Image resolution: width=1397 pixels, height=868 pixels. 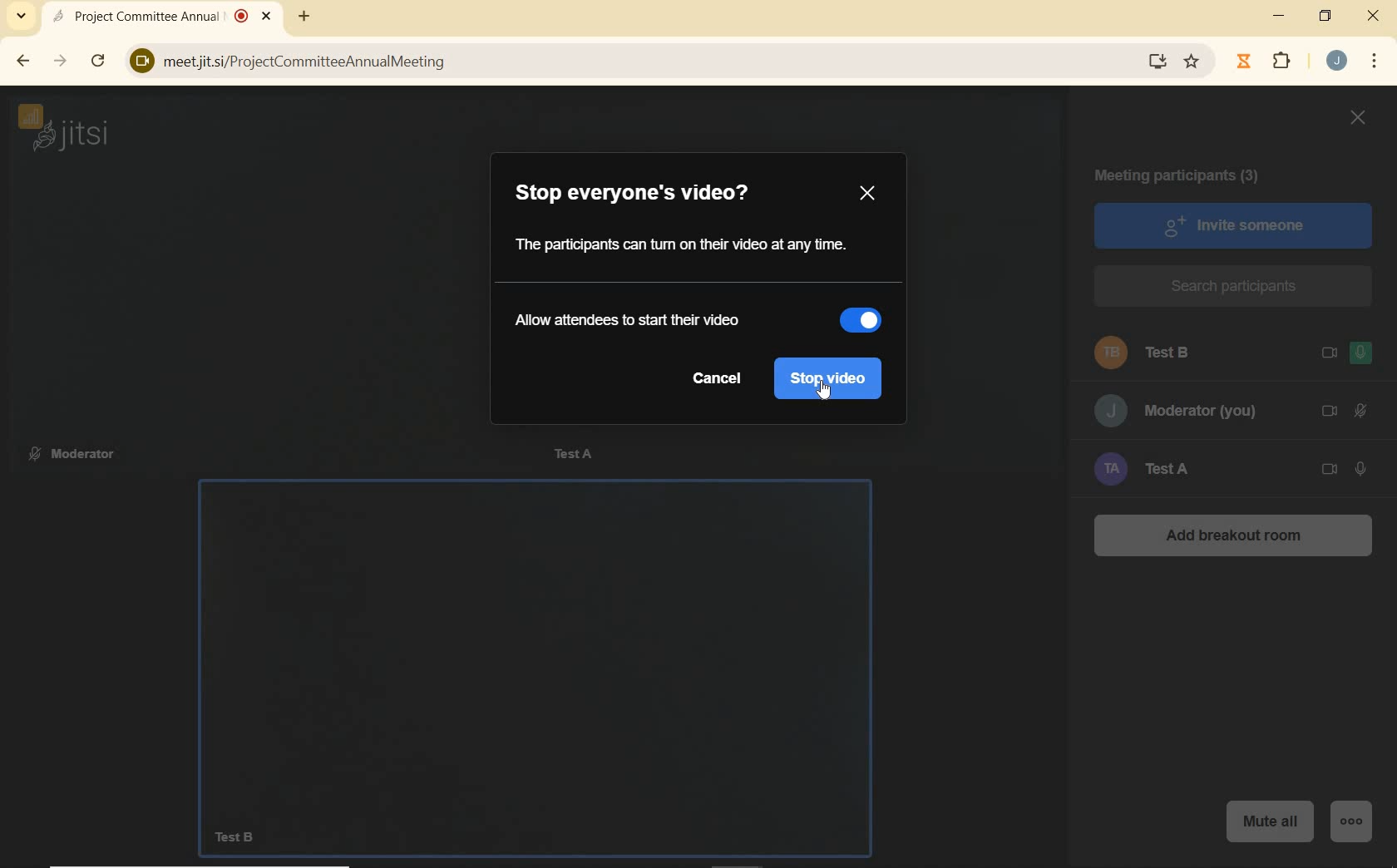 What do you see at coordinates (860, 322) in the screenshot?
I see `slider` at bounding box center [860, 322].